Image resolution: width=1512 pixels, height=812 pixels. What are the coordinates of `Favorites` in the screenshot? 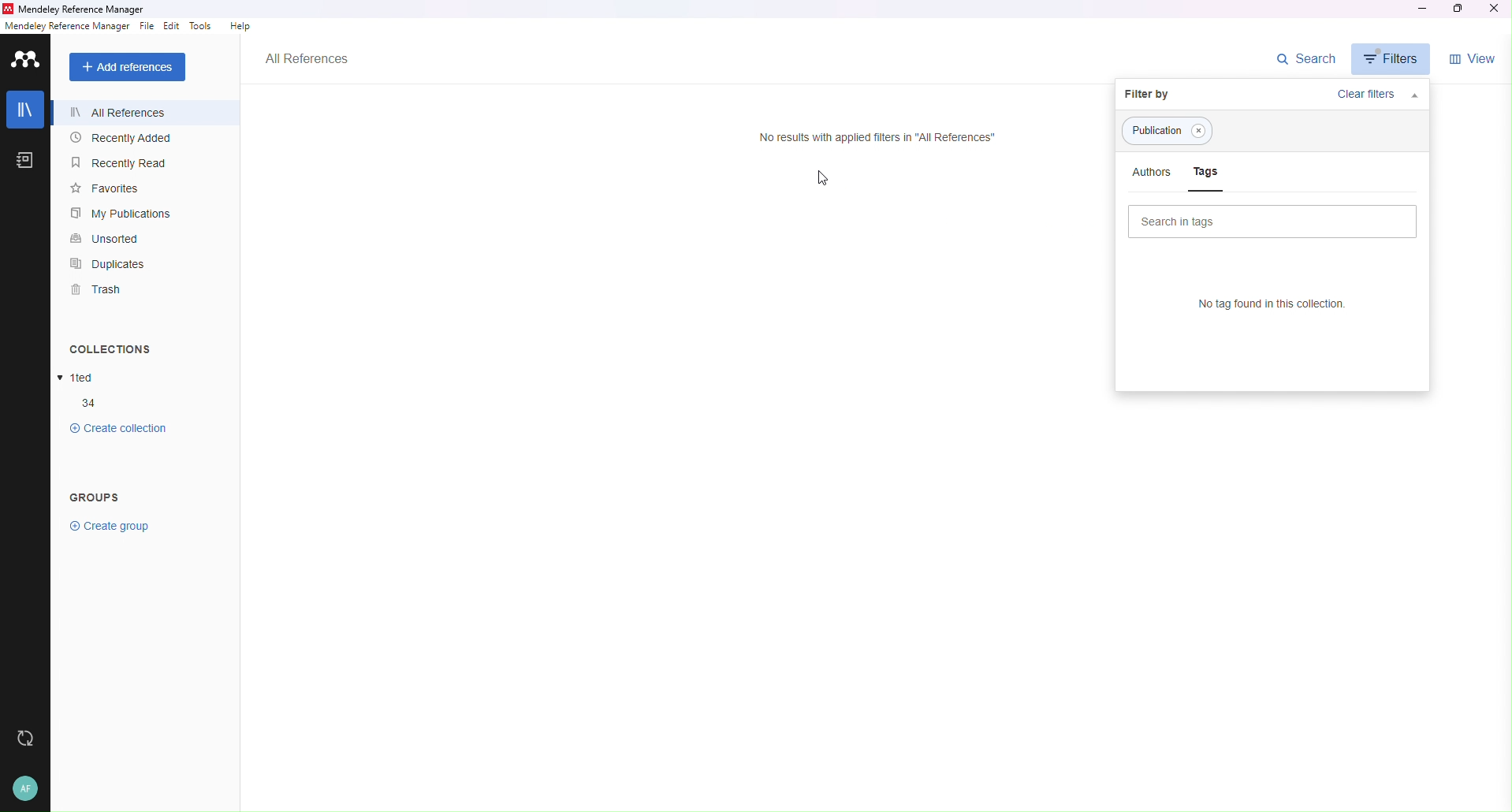 It's located at (121, 189).